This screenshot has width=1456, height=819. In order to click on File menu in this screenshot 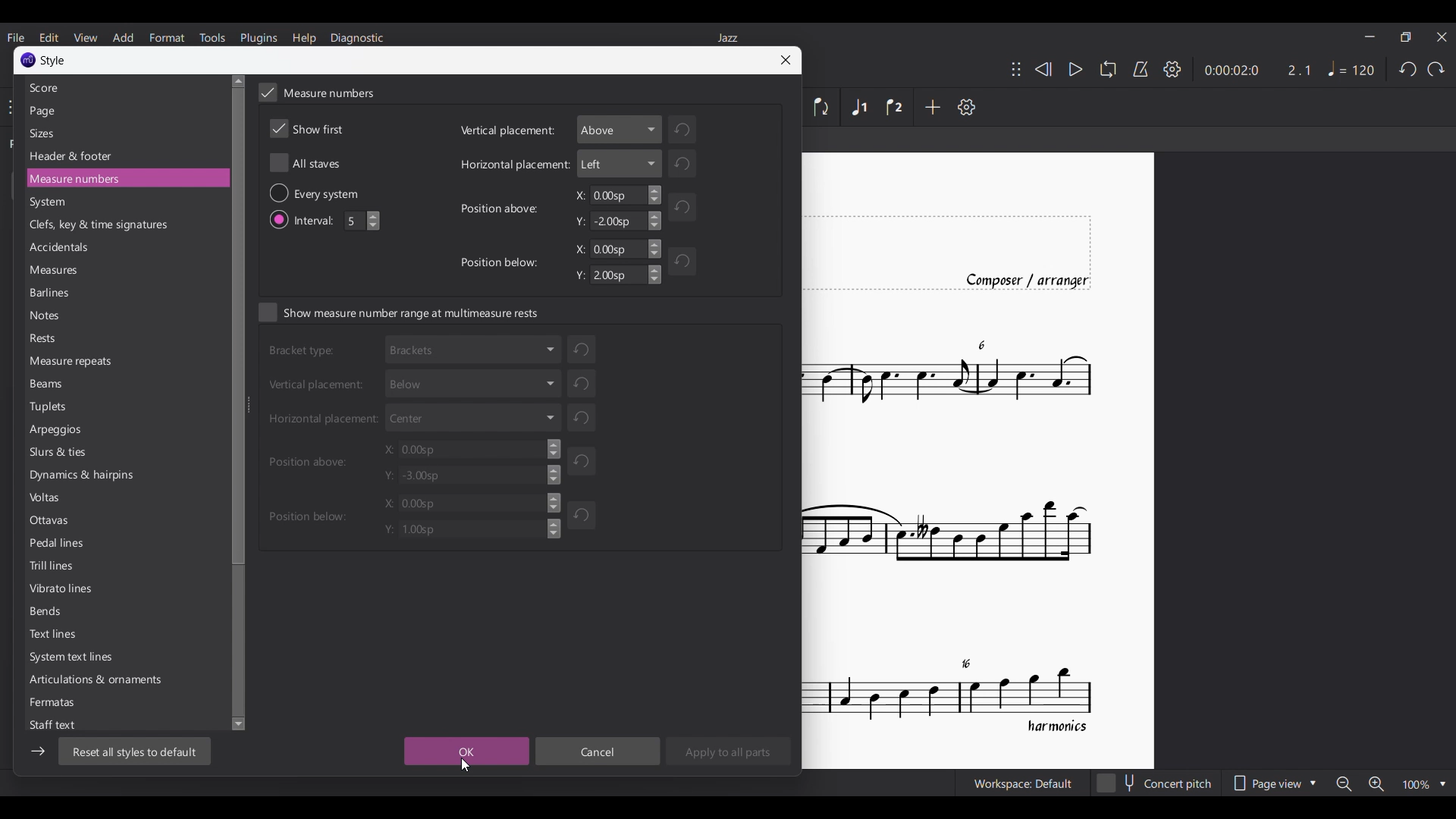, I will do `click(15, 37)`.